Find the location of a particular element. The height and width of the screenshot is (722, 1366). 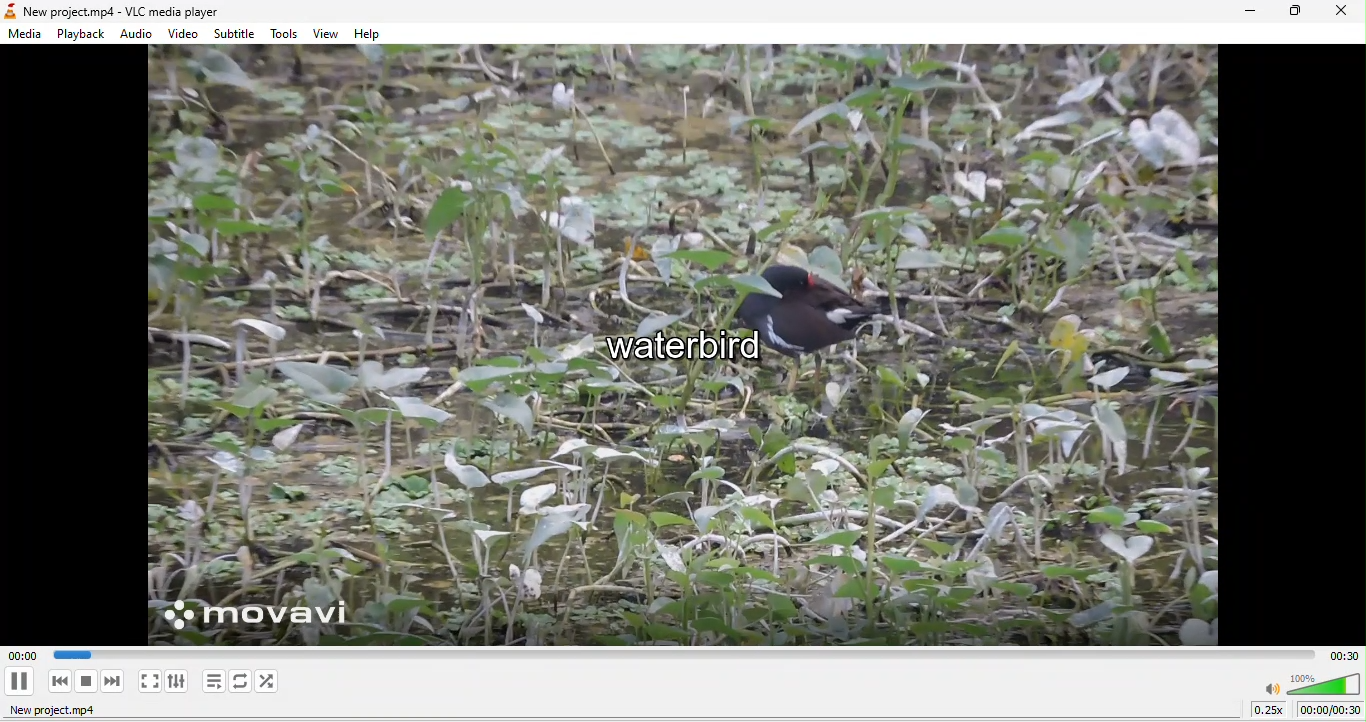

next media is located at coordinates (115, 682).